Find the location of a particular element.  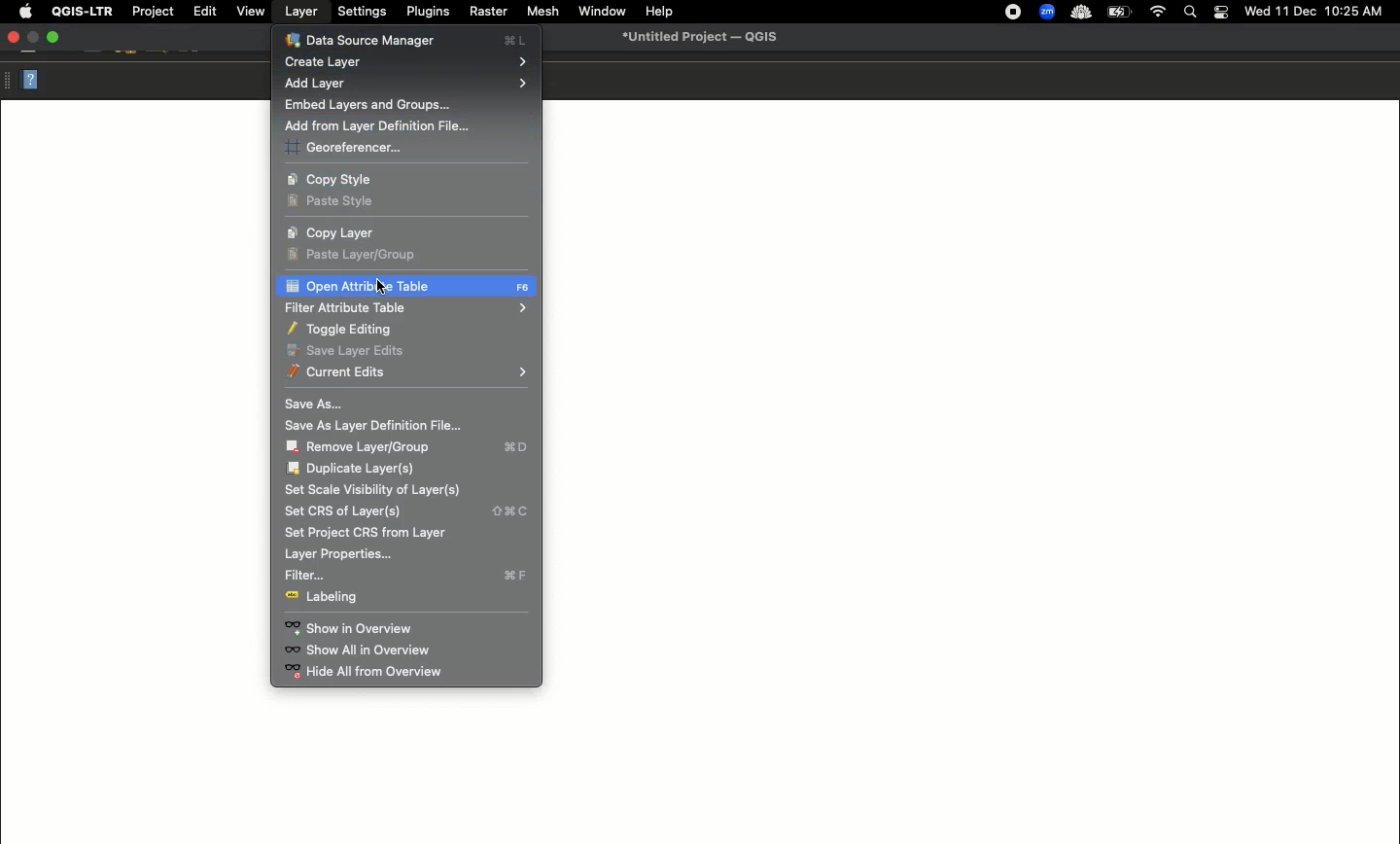

Set project CRS from layer is located at coordinates (367, 533).